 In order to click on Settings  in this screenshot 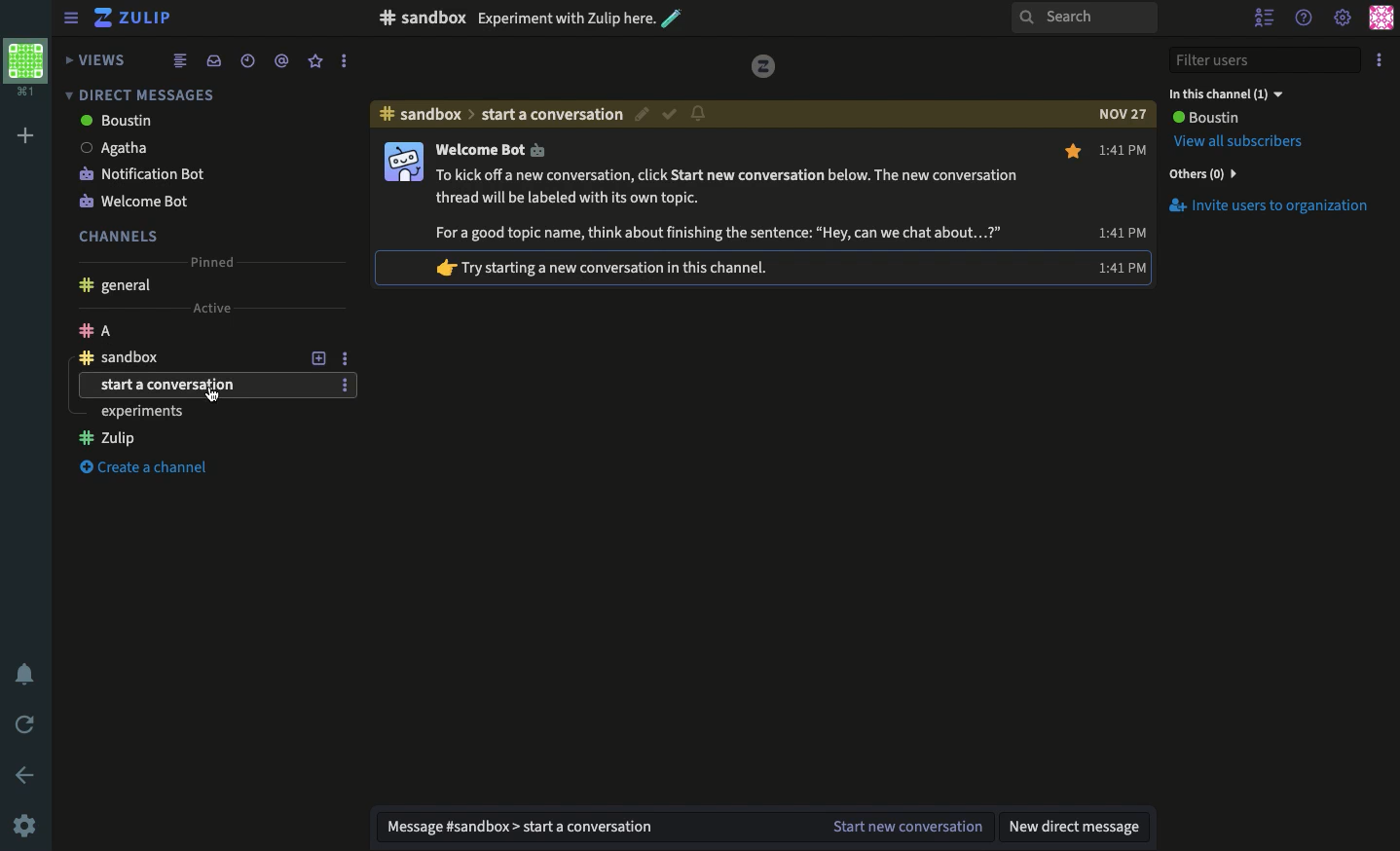, I will do `click(1342, 19)`.